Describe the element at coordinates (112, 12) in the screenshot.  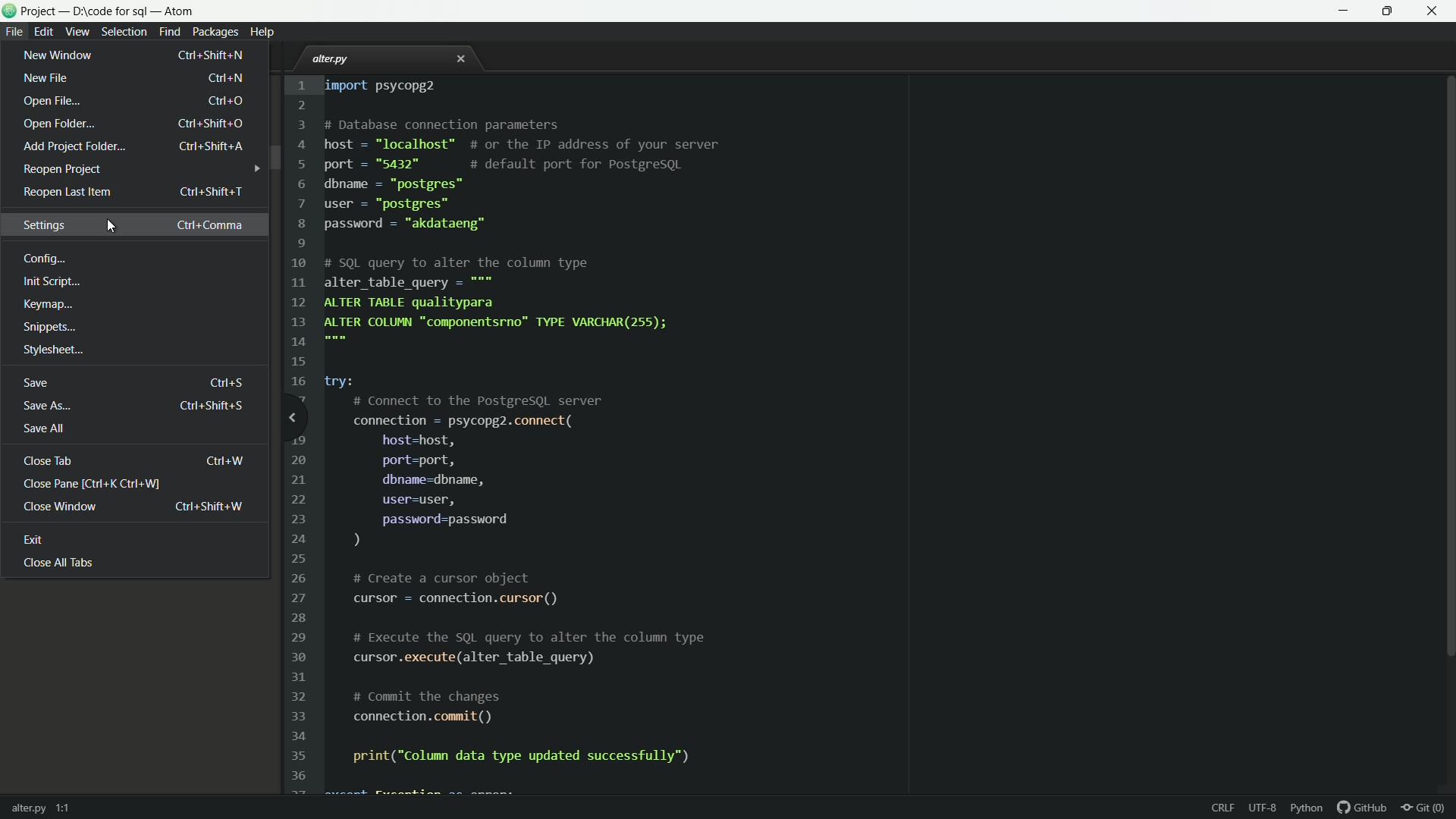
I see `project D:\code for sql - atom` at that location.